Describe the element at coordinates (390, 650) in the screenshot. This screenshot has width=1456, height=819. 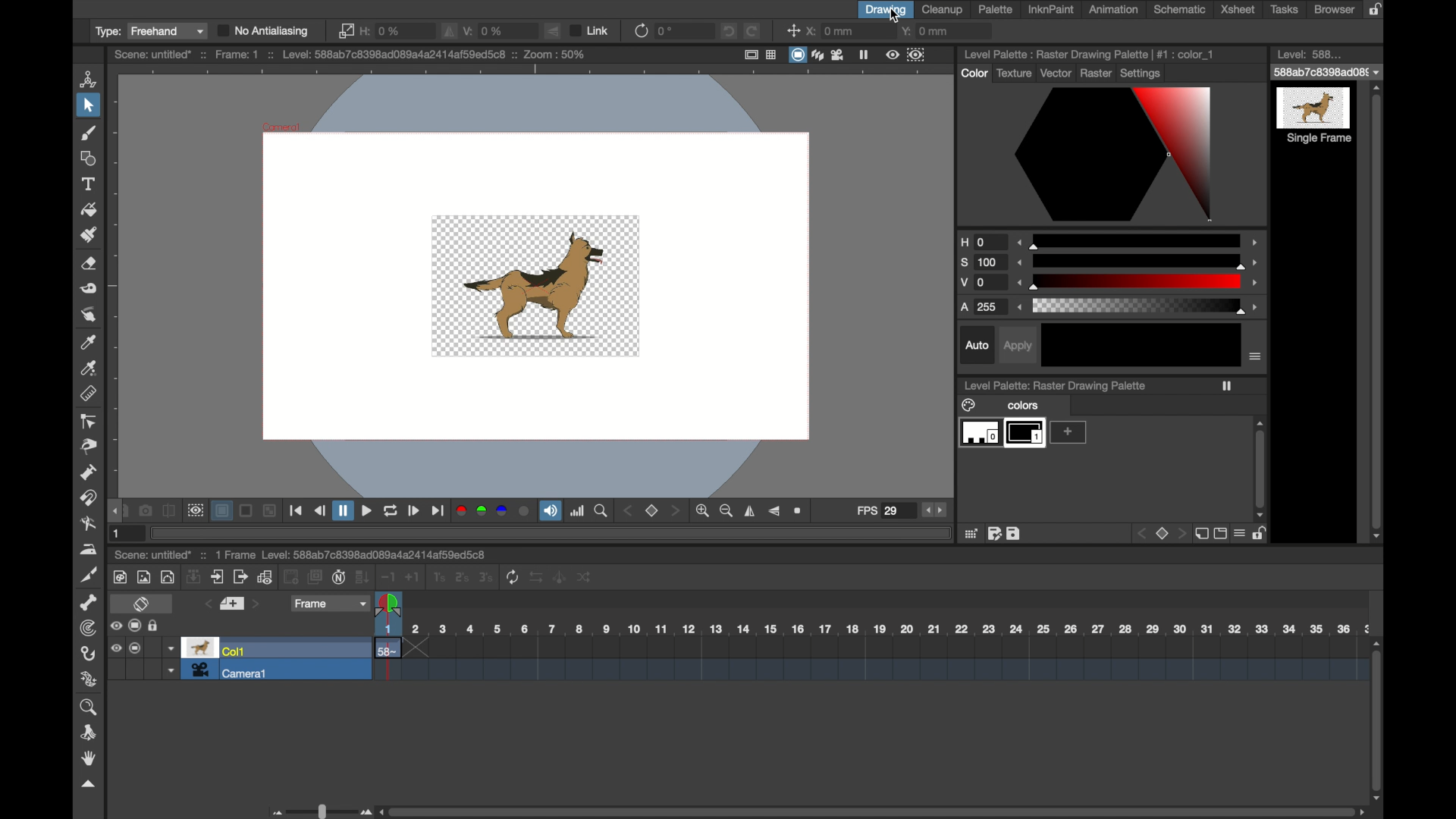
I see `58` at that location.